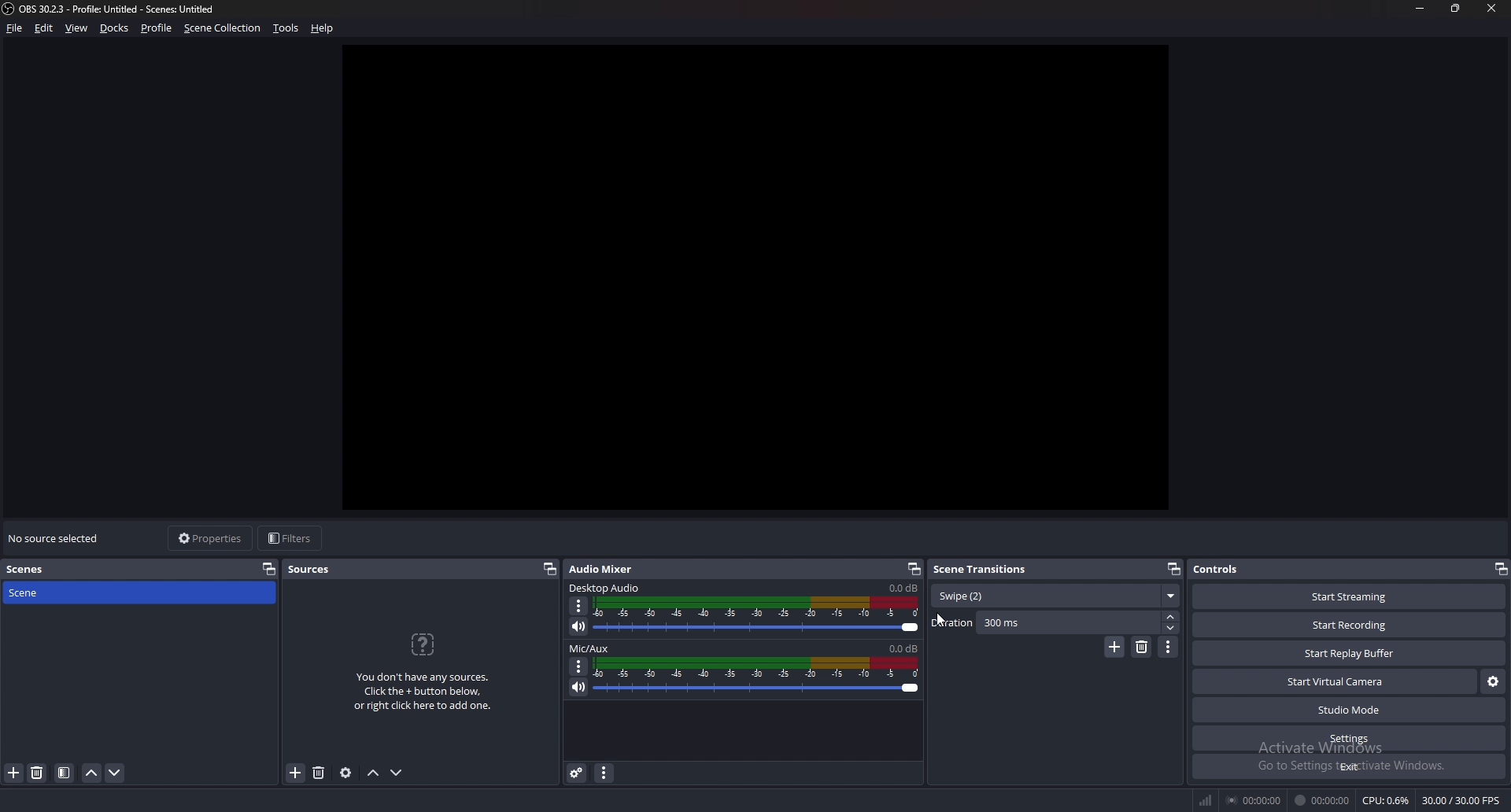 This screenshot has width=1511, height=812. What do you see at coordinates (578, 688) in the screenshot?
I see `mute` at bounding box center [578, 688].